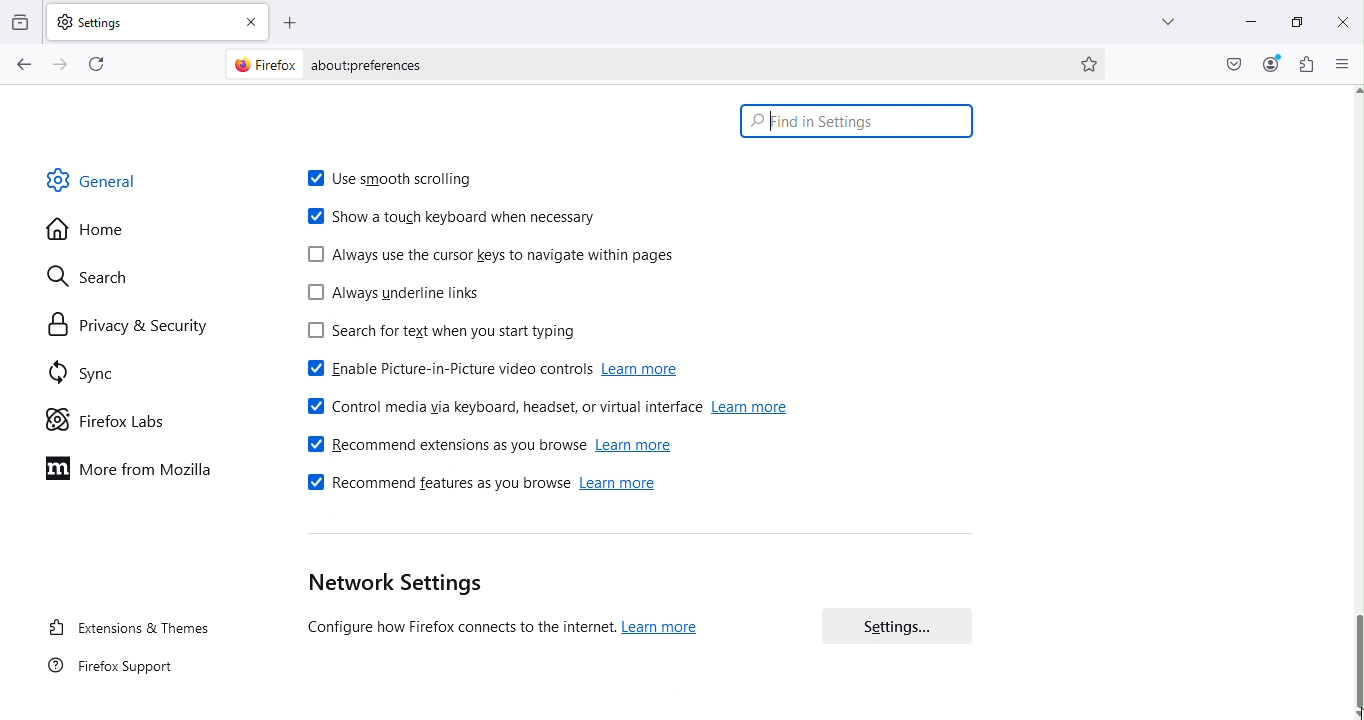  What do you see at coordinates (769, 129) in the screenshot?
I see `typing cursor` at bounding box center [769, 129].